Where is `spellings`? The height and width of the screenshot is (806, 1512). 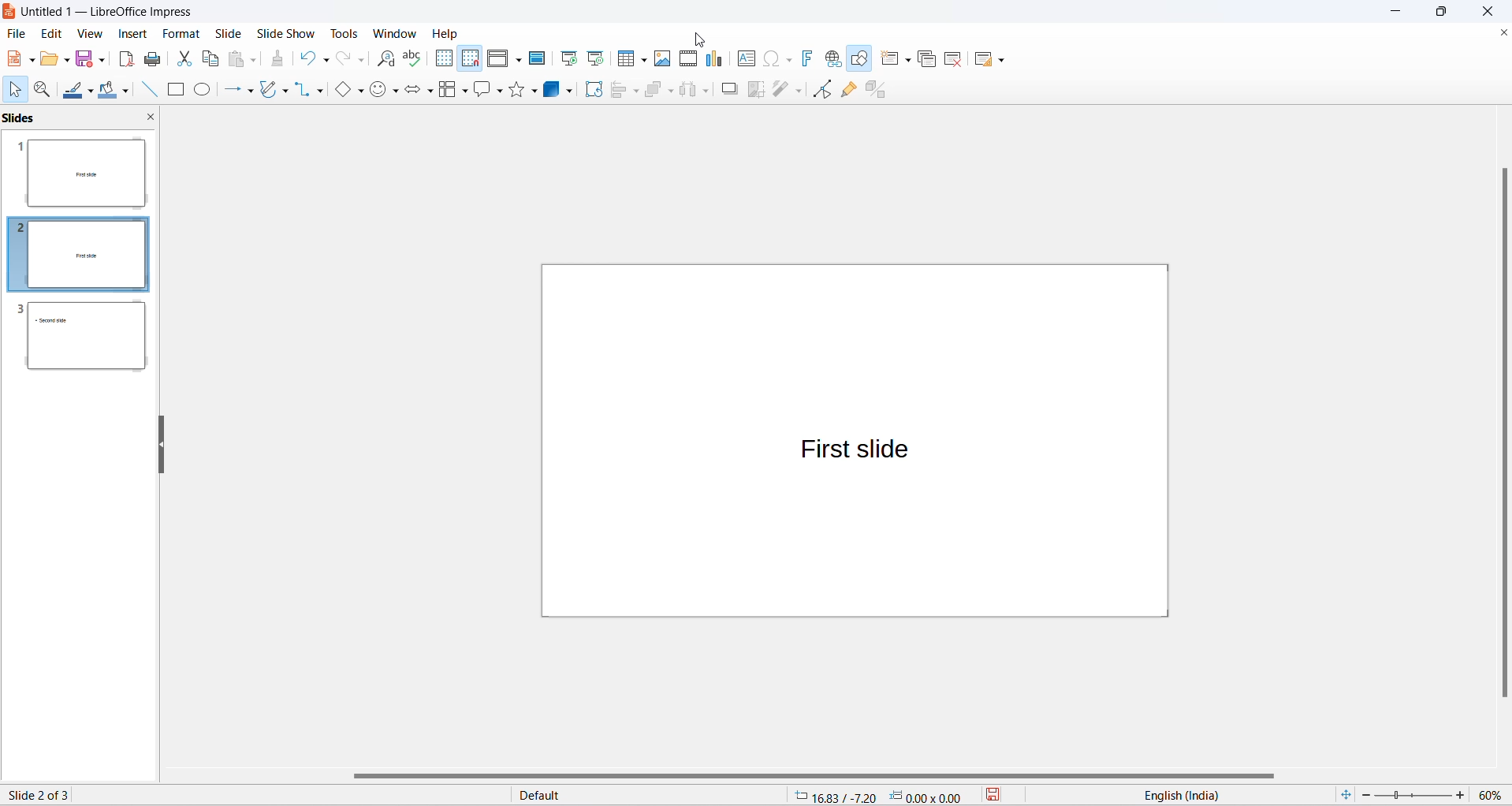
spellings is located at coordinates (415, 57).